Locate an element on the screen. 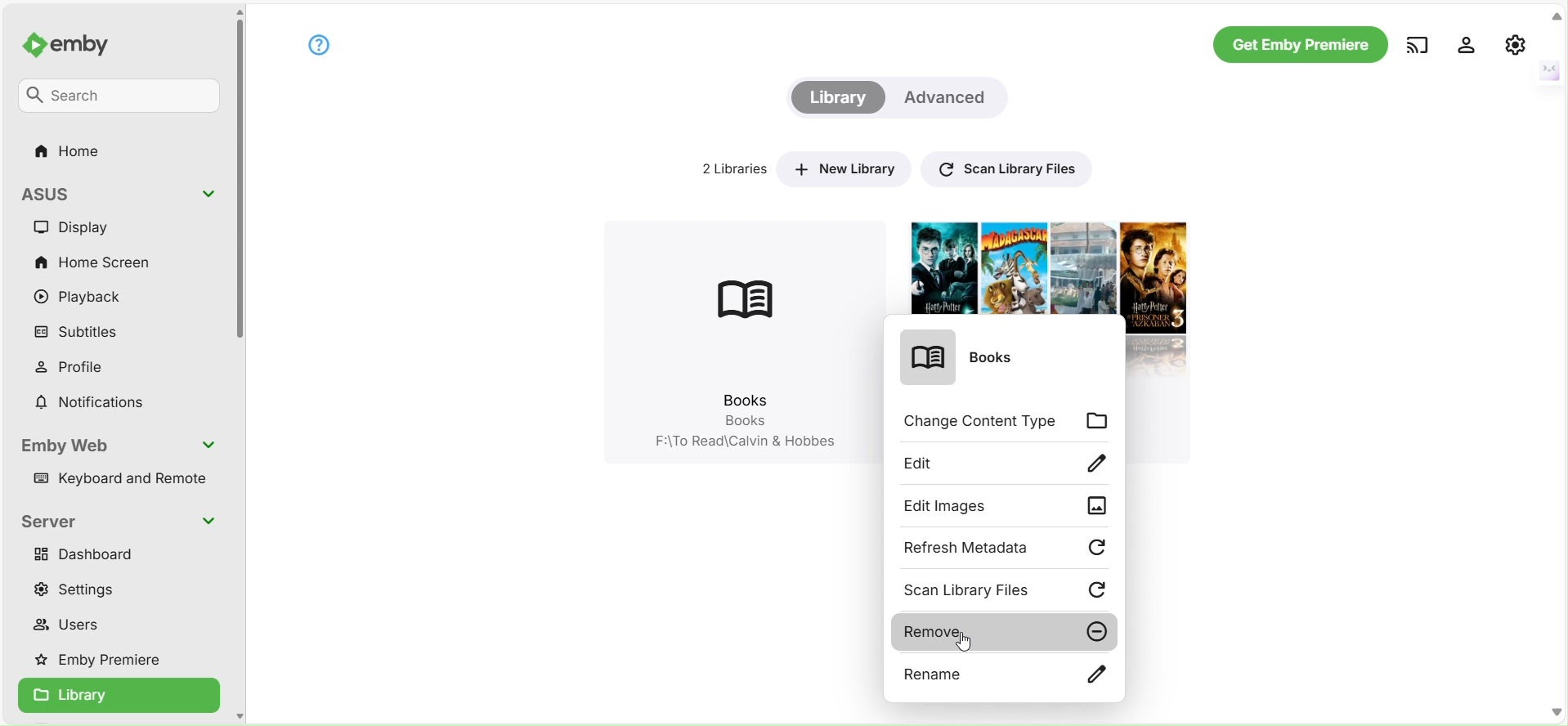  move down is located at coordinates (239, 715).